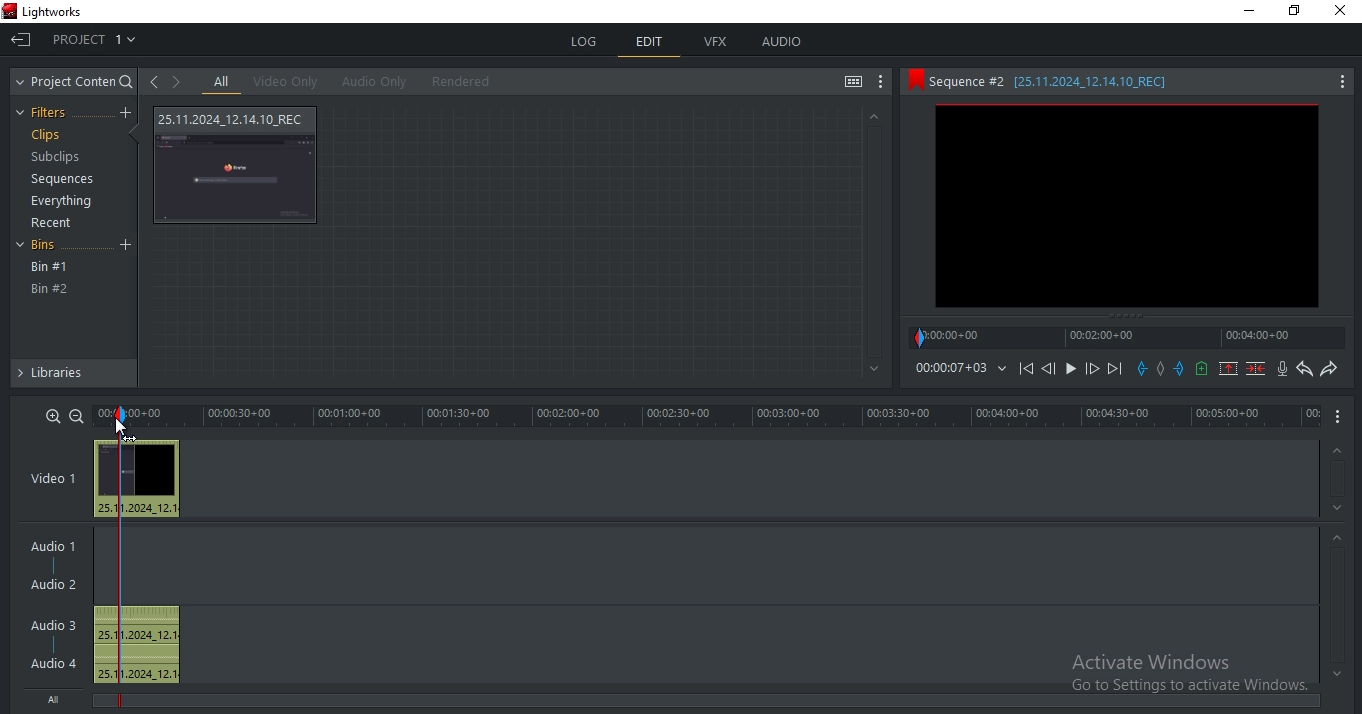 The height and width of the screenshot is (714, 1362). What do you see at coordinates (1189, 675) in the screenshot?
I see `Active Windows` at bounding box center [1189, 675].